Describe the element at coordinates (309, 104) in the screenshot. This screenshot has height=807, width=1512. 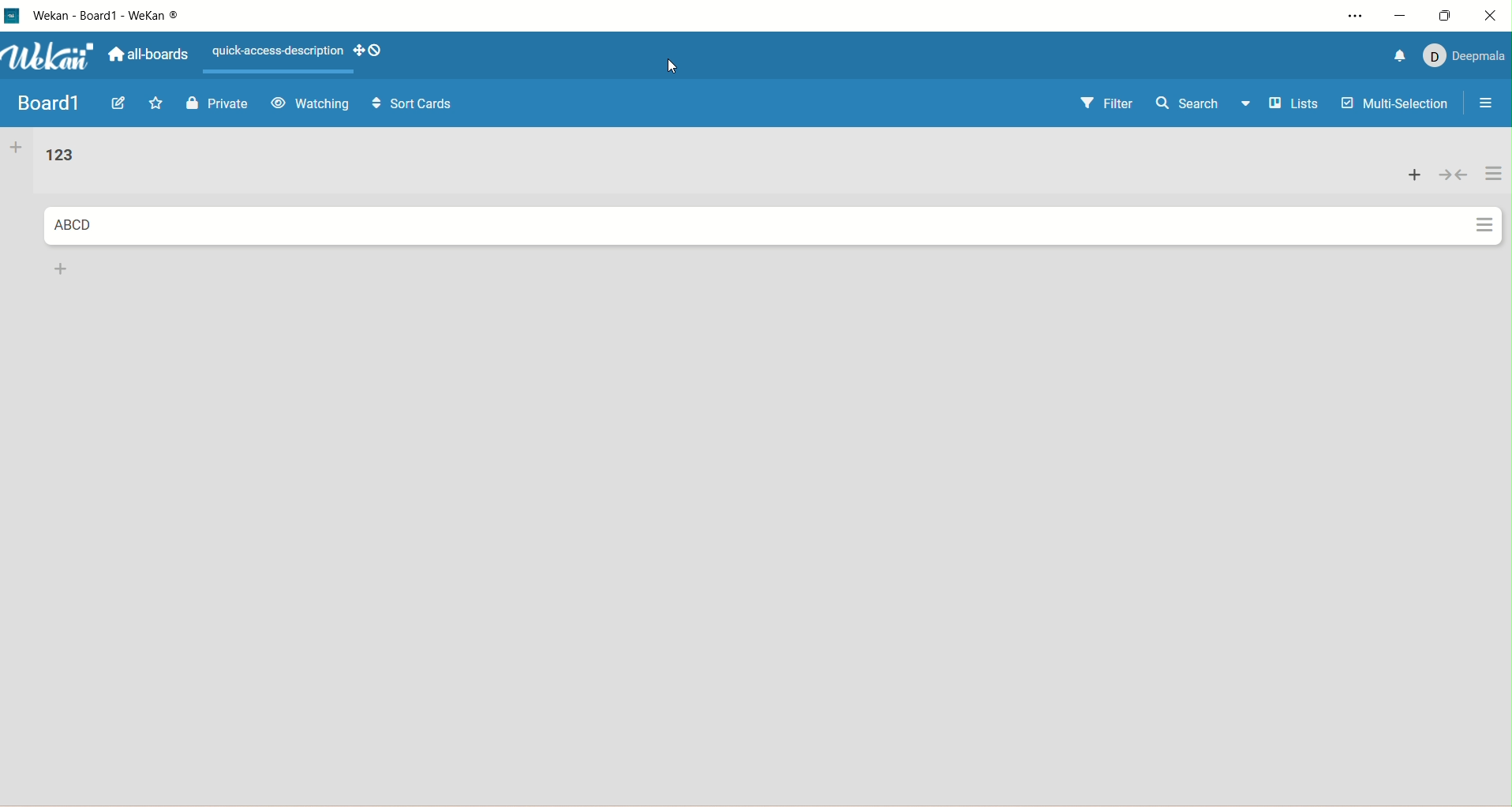
I see `watching` at that location.